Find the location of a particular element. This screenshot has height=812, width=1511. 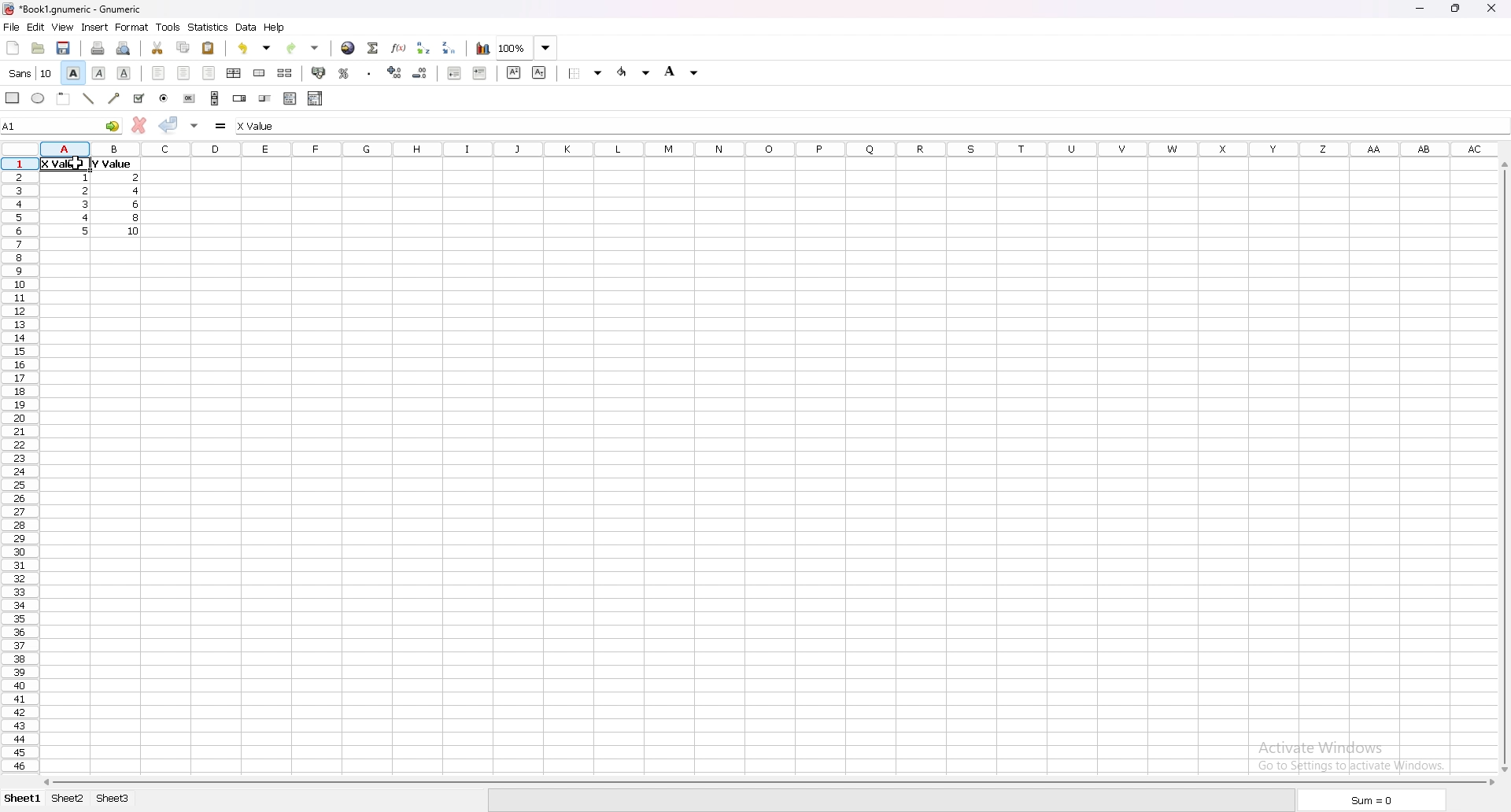

value is located at coordinates (137, 177).